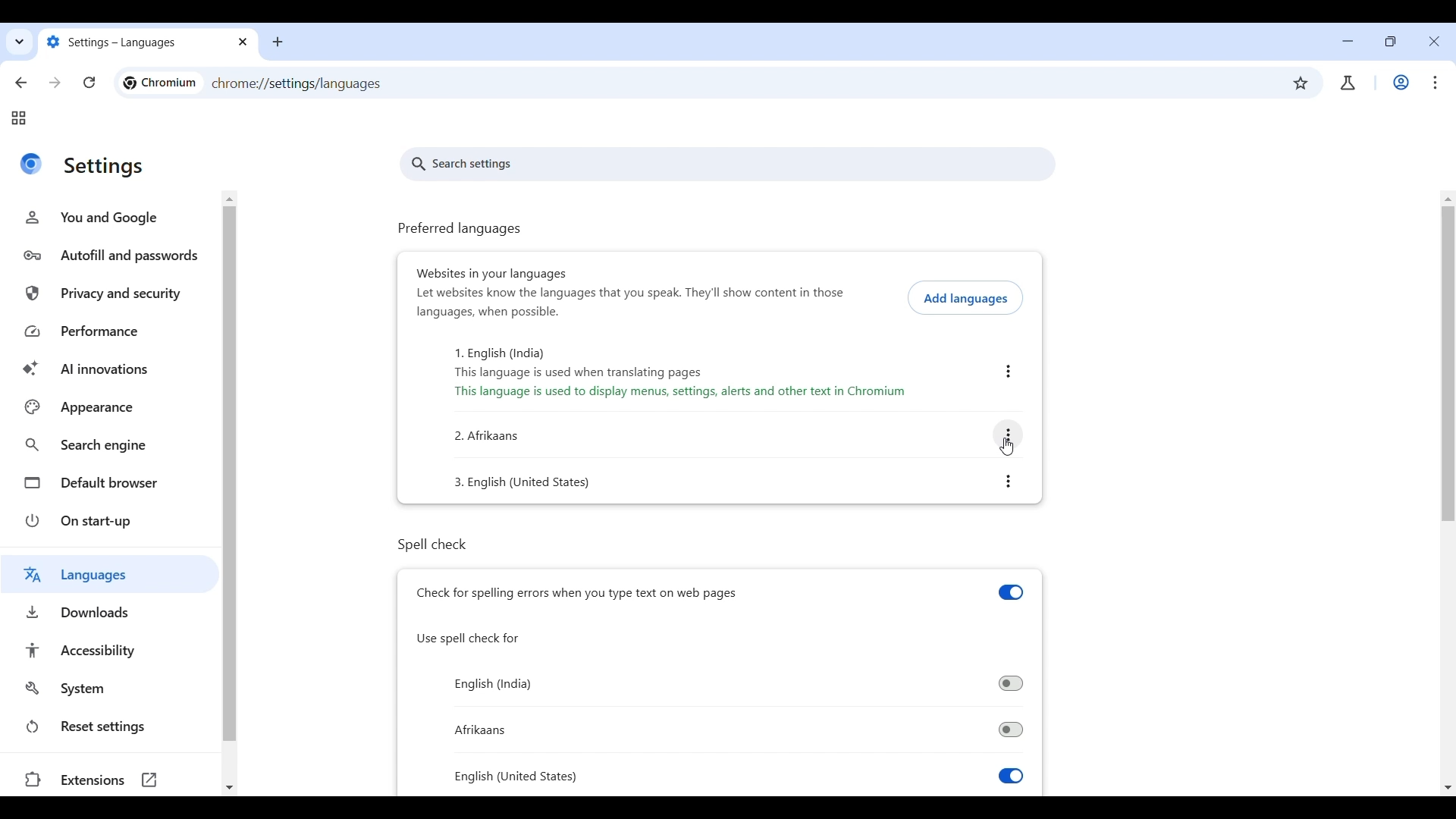 This screenshot has width=1456, height=819. What do you see at coordinates (1009, 482) in the screenshot?
I see `English (US) settings` at bounding box center [1009, 482].